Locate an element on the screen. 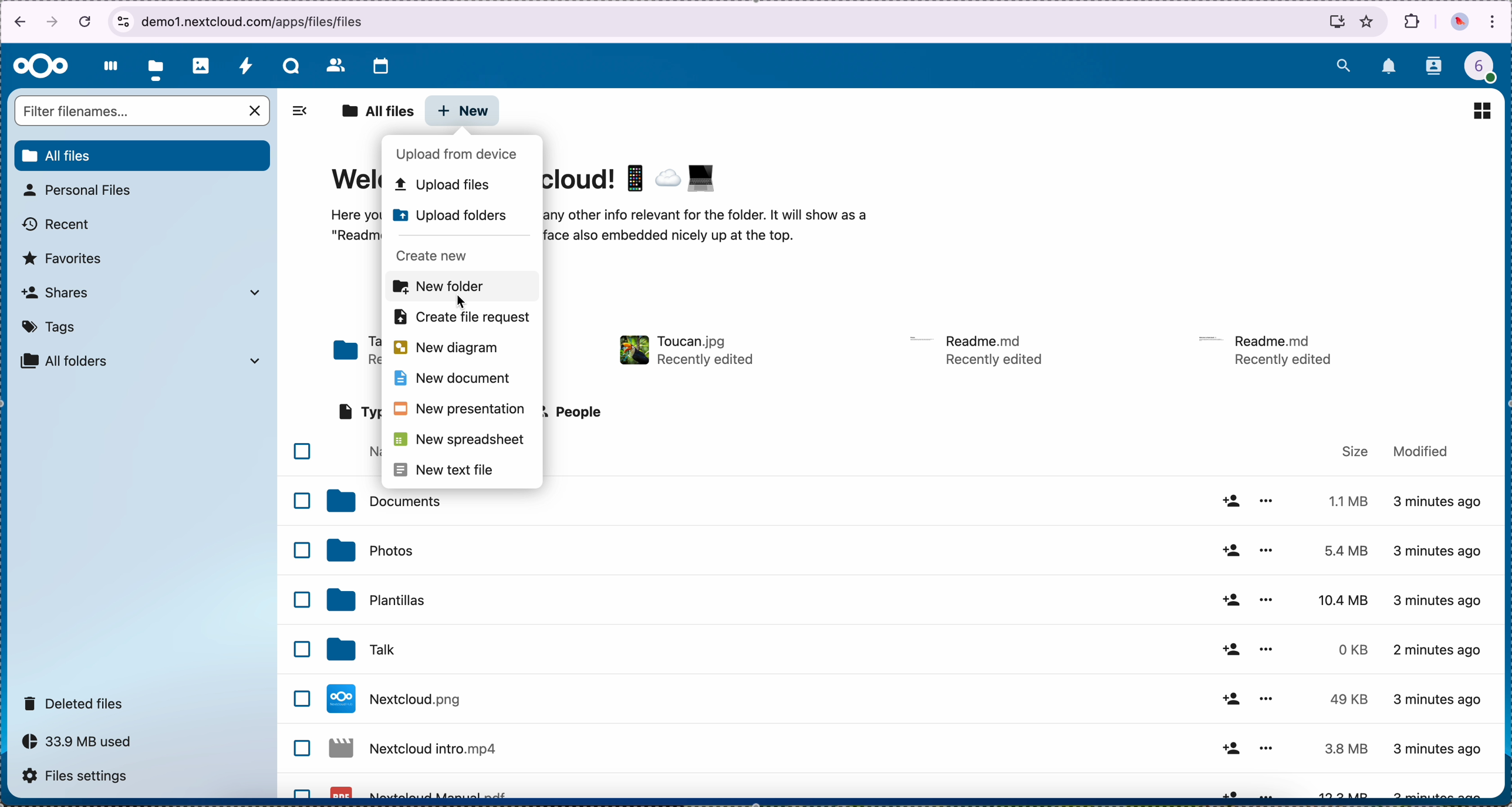 This screenshot has height=807, width=1512. here is located at coordinates (358, 228).